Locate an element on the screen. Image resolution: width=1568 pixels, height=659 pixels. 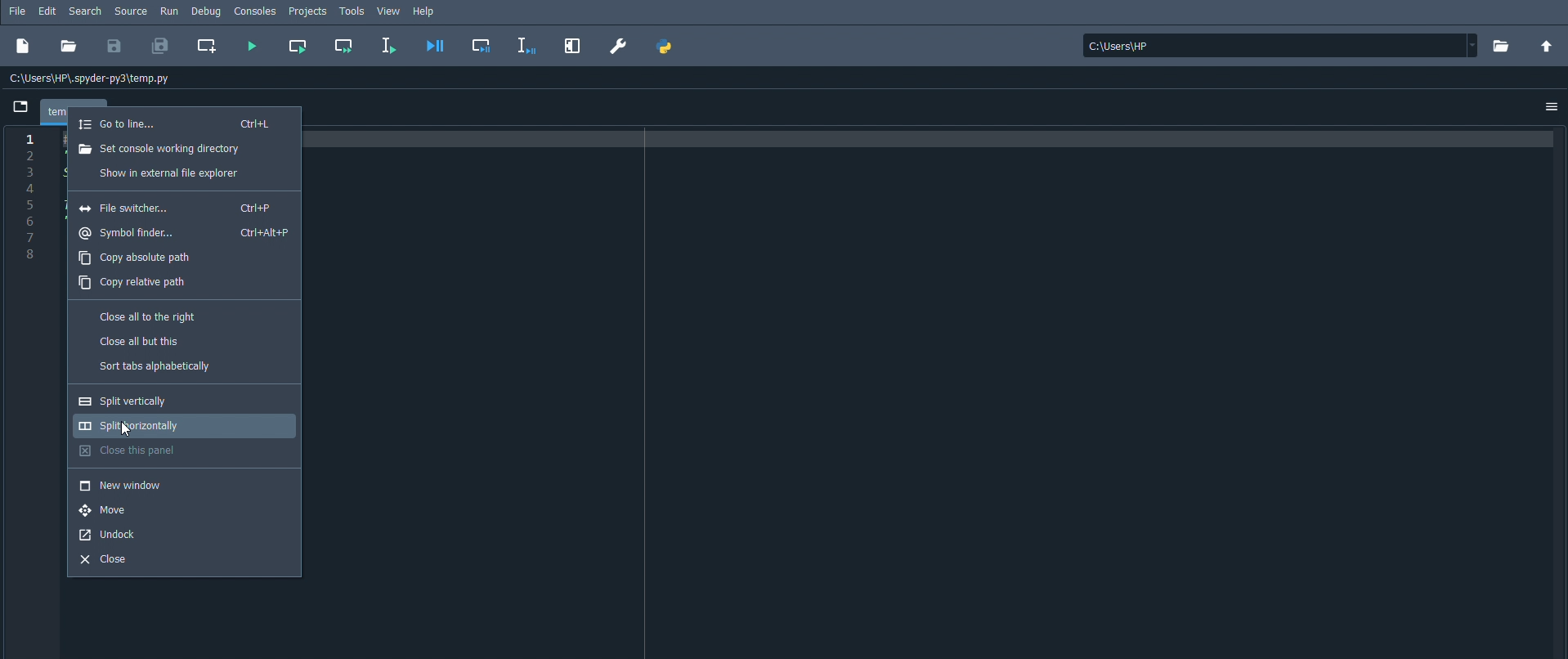
View is located at coordinates (388, 11).